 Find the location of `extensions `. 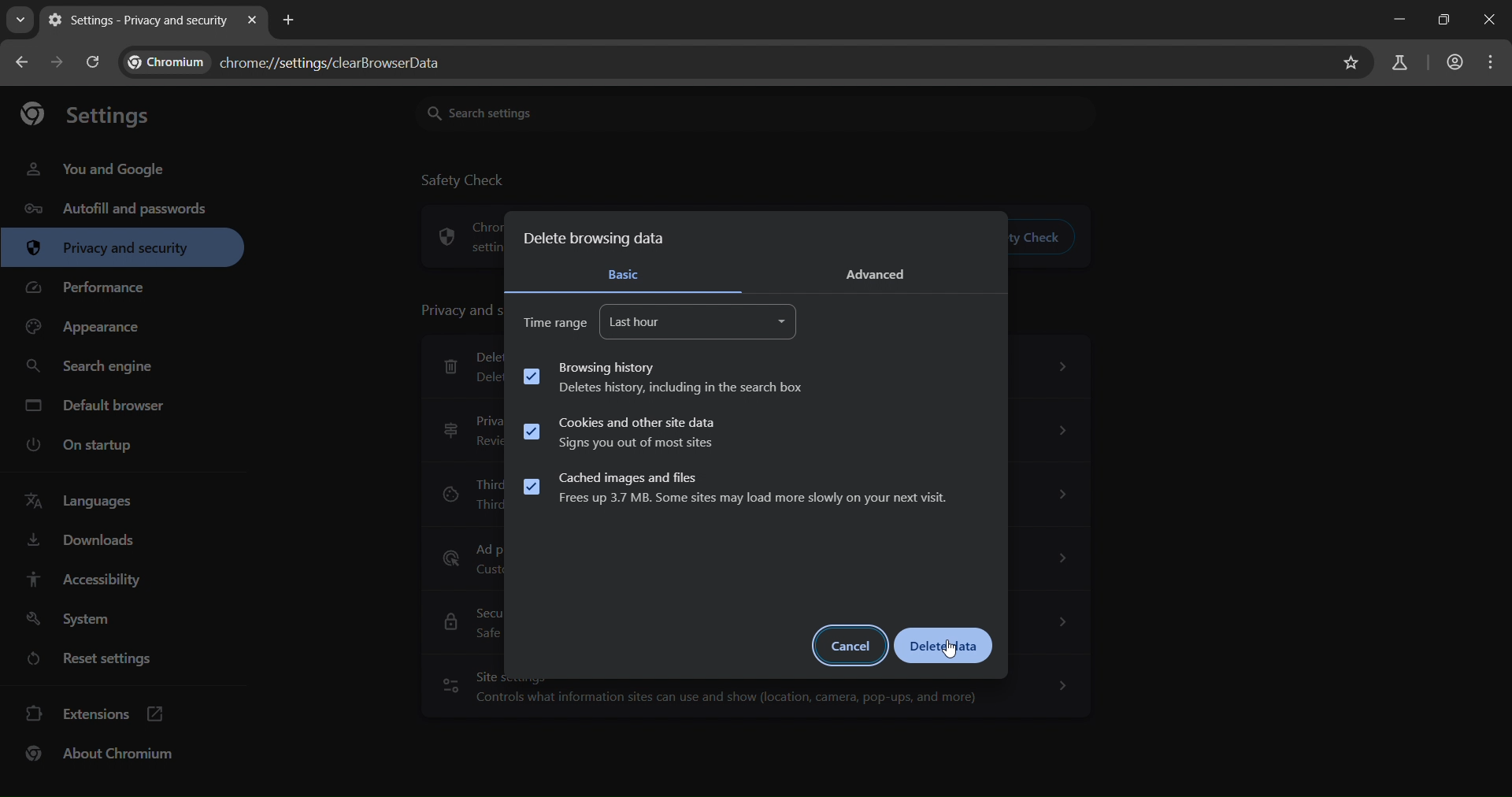

extensions  is located at coordinates (106, 716).